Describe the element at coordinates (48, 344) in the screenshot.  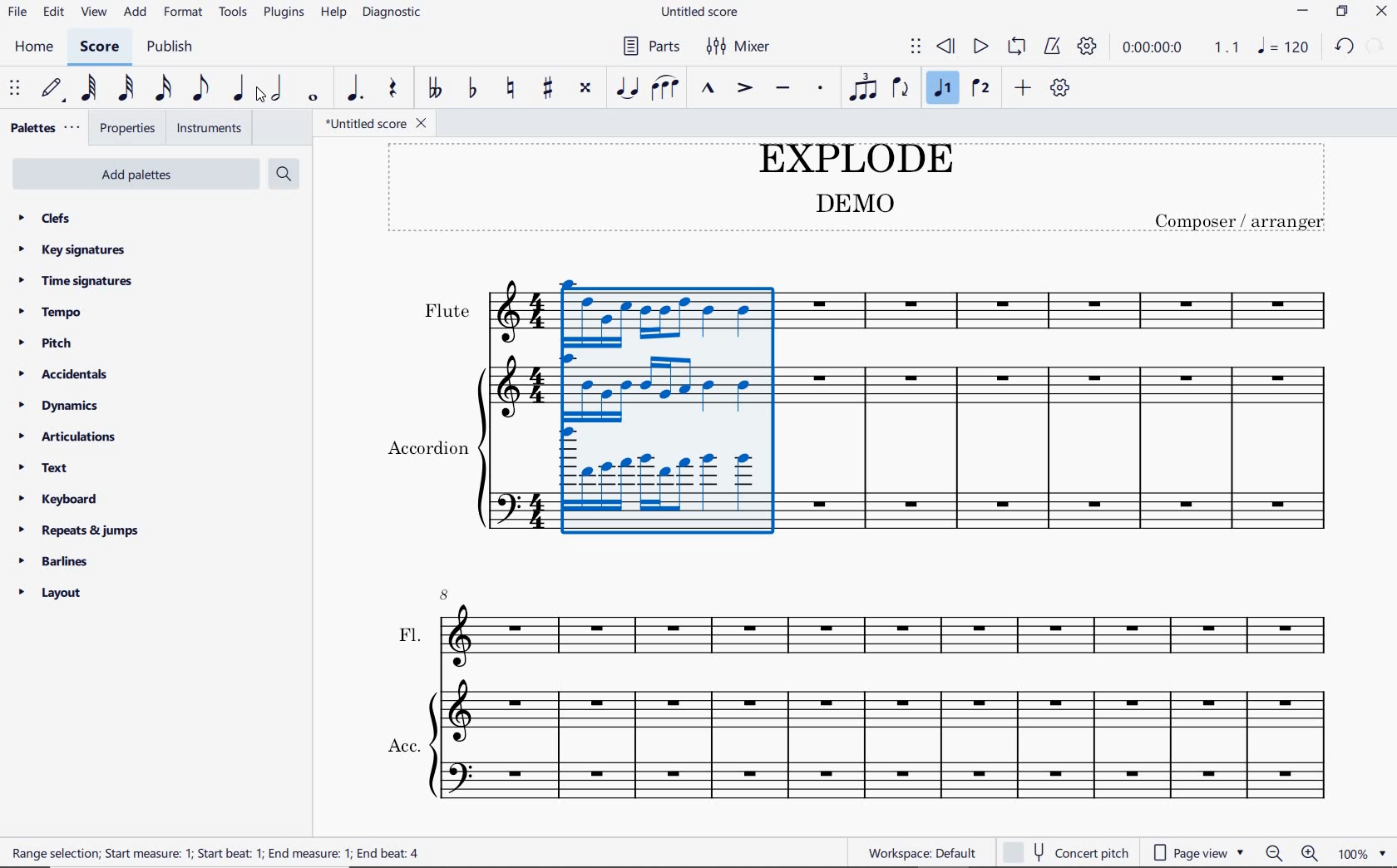
I see `pitch` at that location.